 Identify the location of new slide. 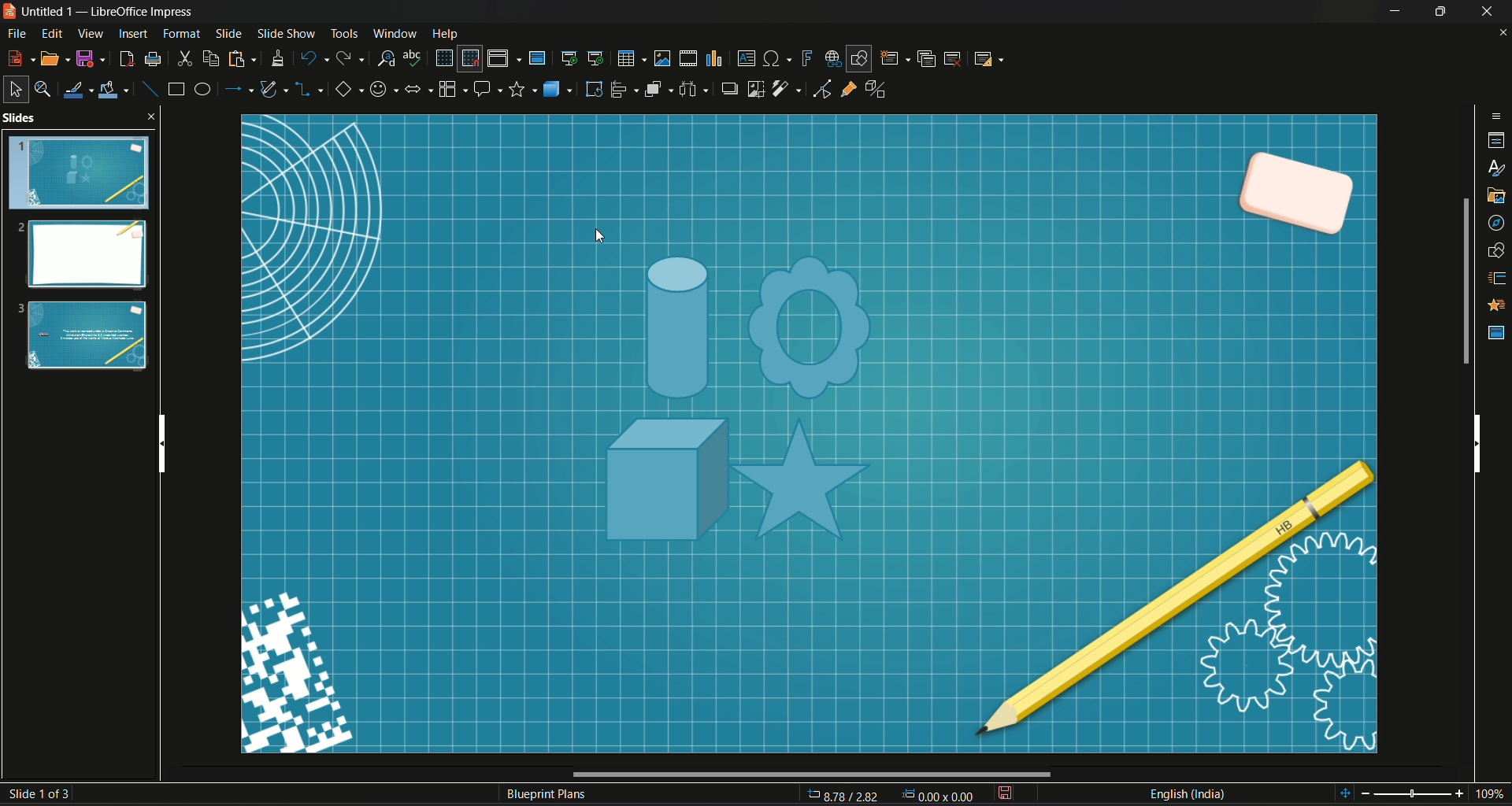
(895, 58).